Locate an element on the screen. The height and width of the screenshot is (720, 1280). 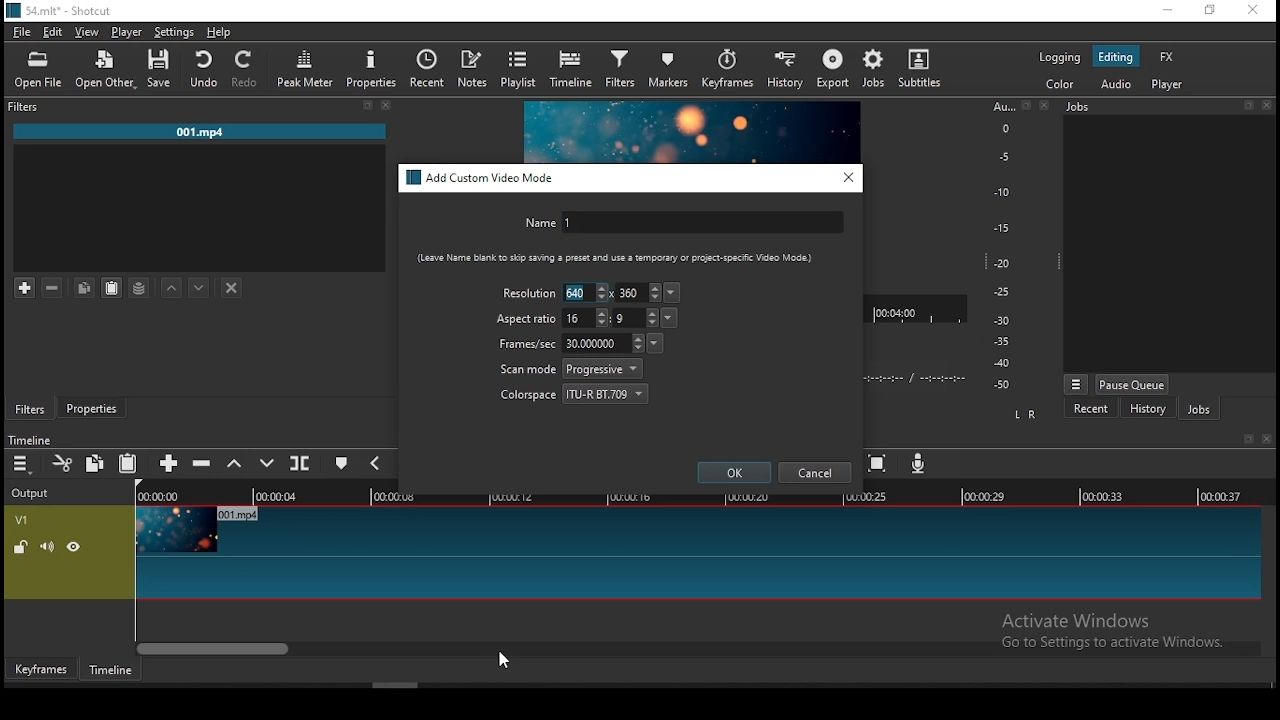
overwrite is located at coordinates (269, 463).